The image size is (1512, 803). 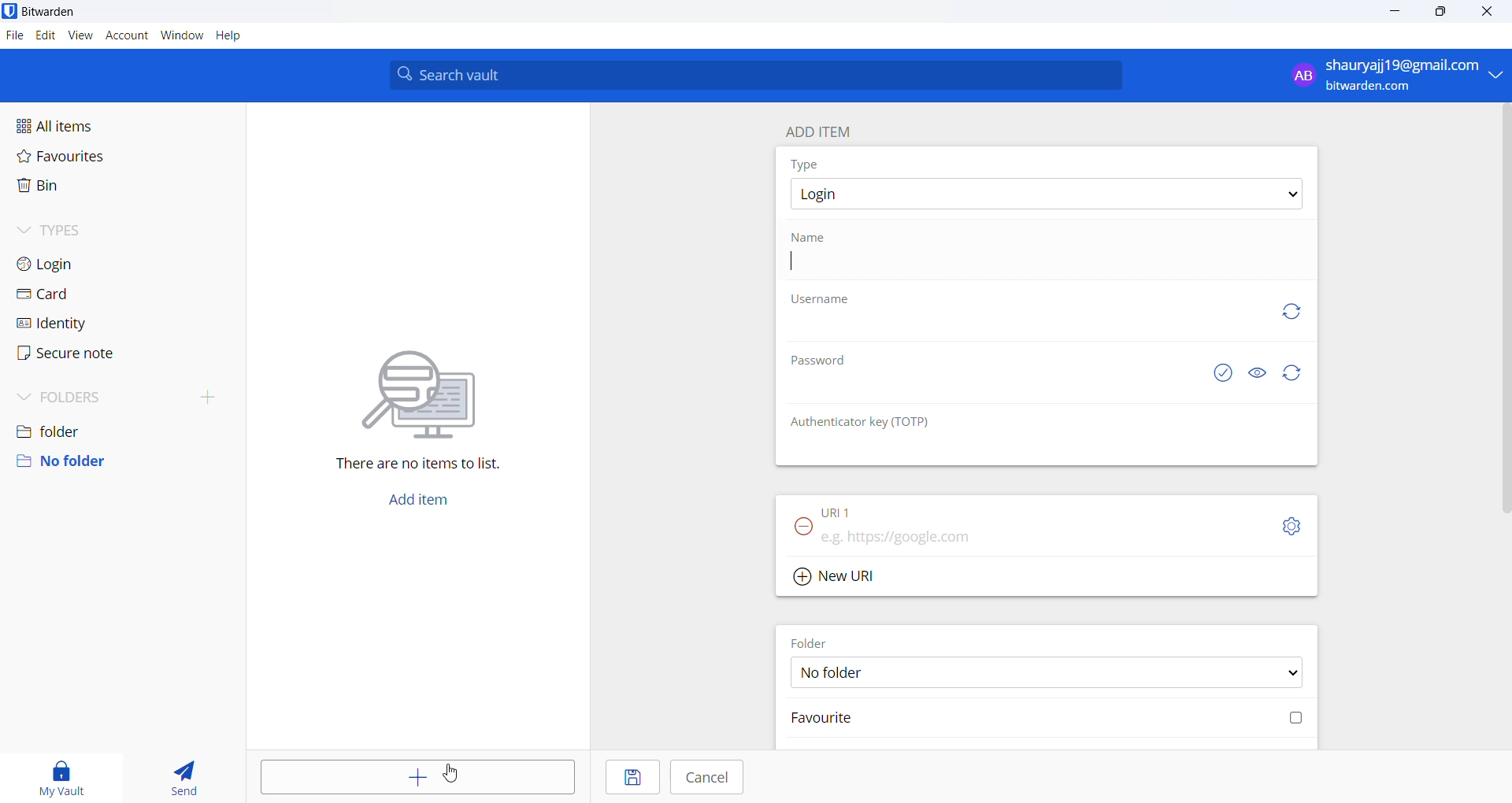 What do you see at coordinates (631, 777) in the screenshot?
I see `save` at bounding box center [631, 777].